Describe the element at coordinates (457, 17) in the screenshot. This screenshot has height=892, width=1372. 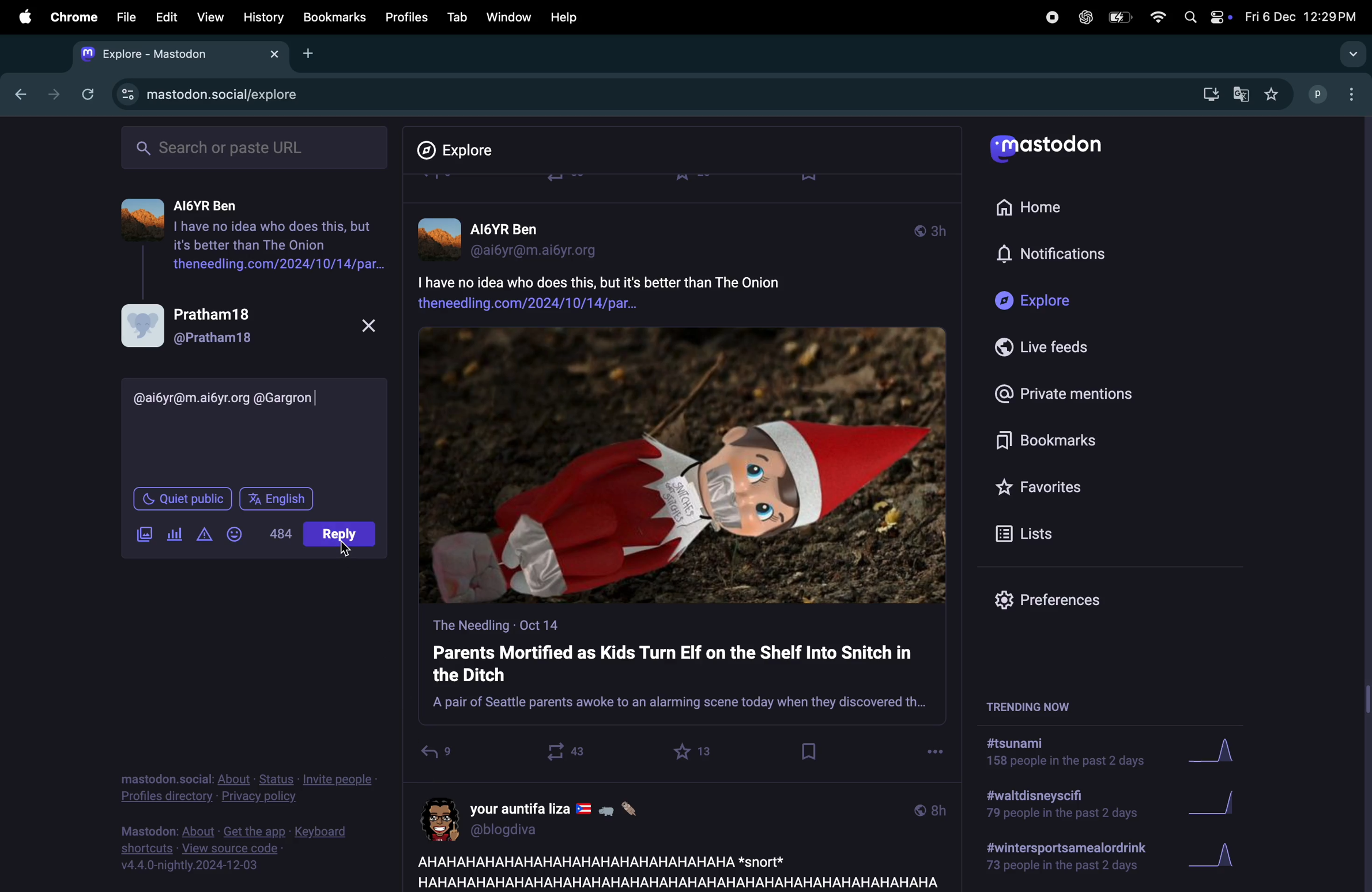
I see `tab` at that location.